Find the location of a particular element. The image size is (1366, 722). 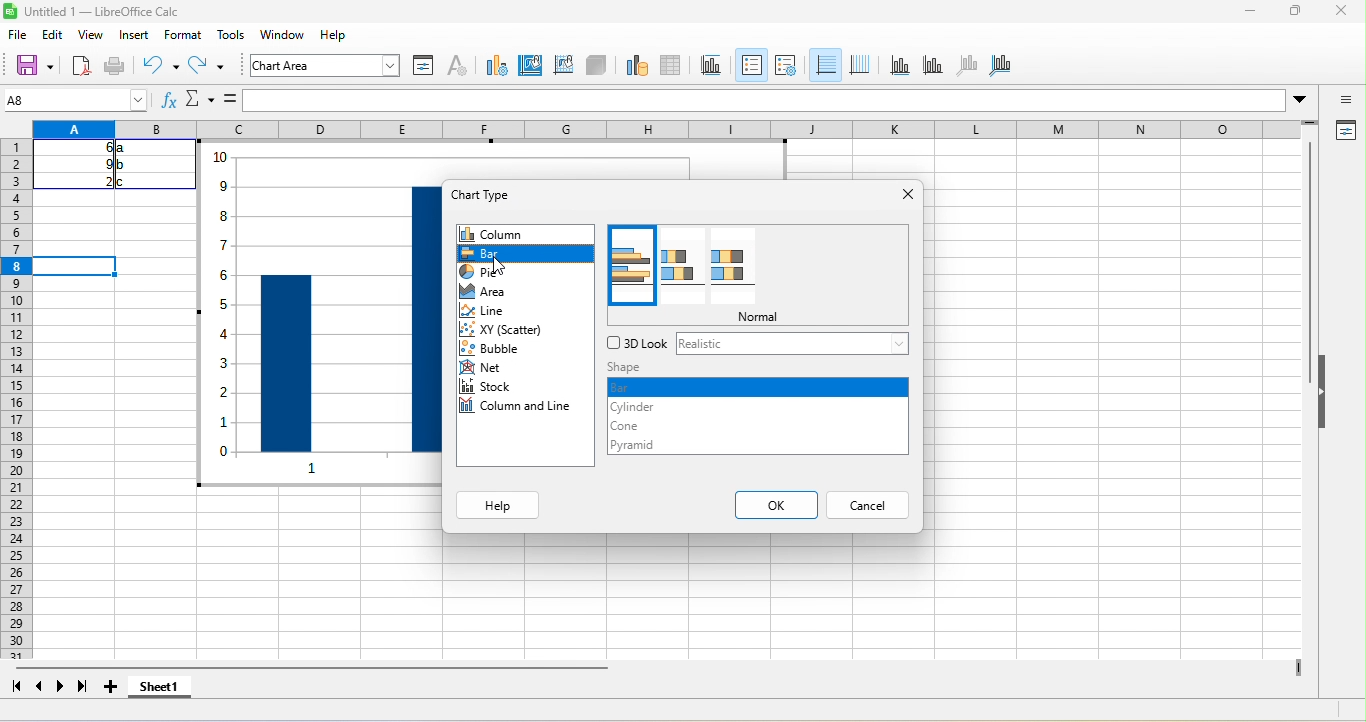

sheet is located at coordinates (277, 32).